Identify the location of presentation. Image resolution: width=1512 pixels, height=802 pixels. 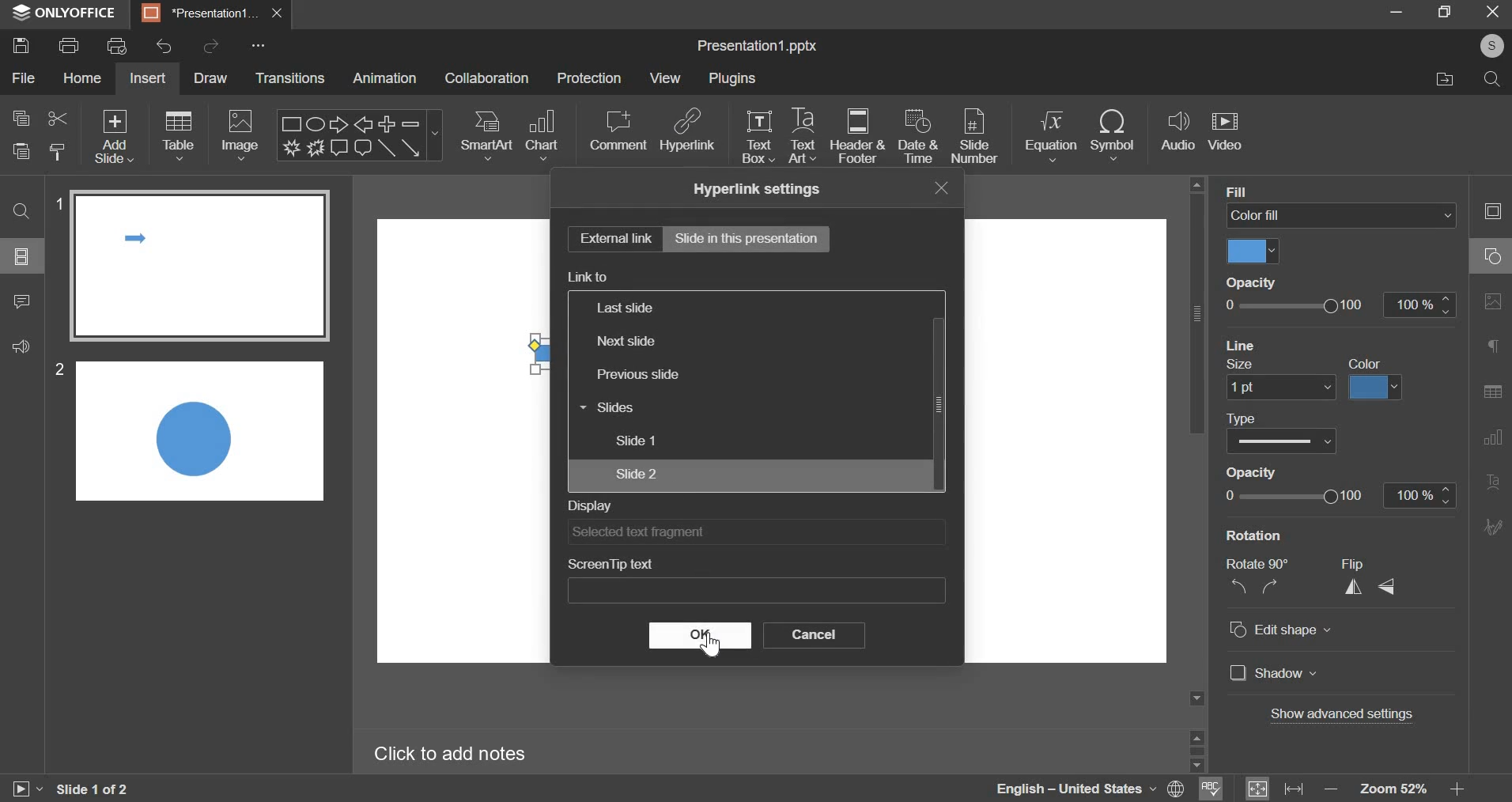
(211, 13).